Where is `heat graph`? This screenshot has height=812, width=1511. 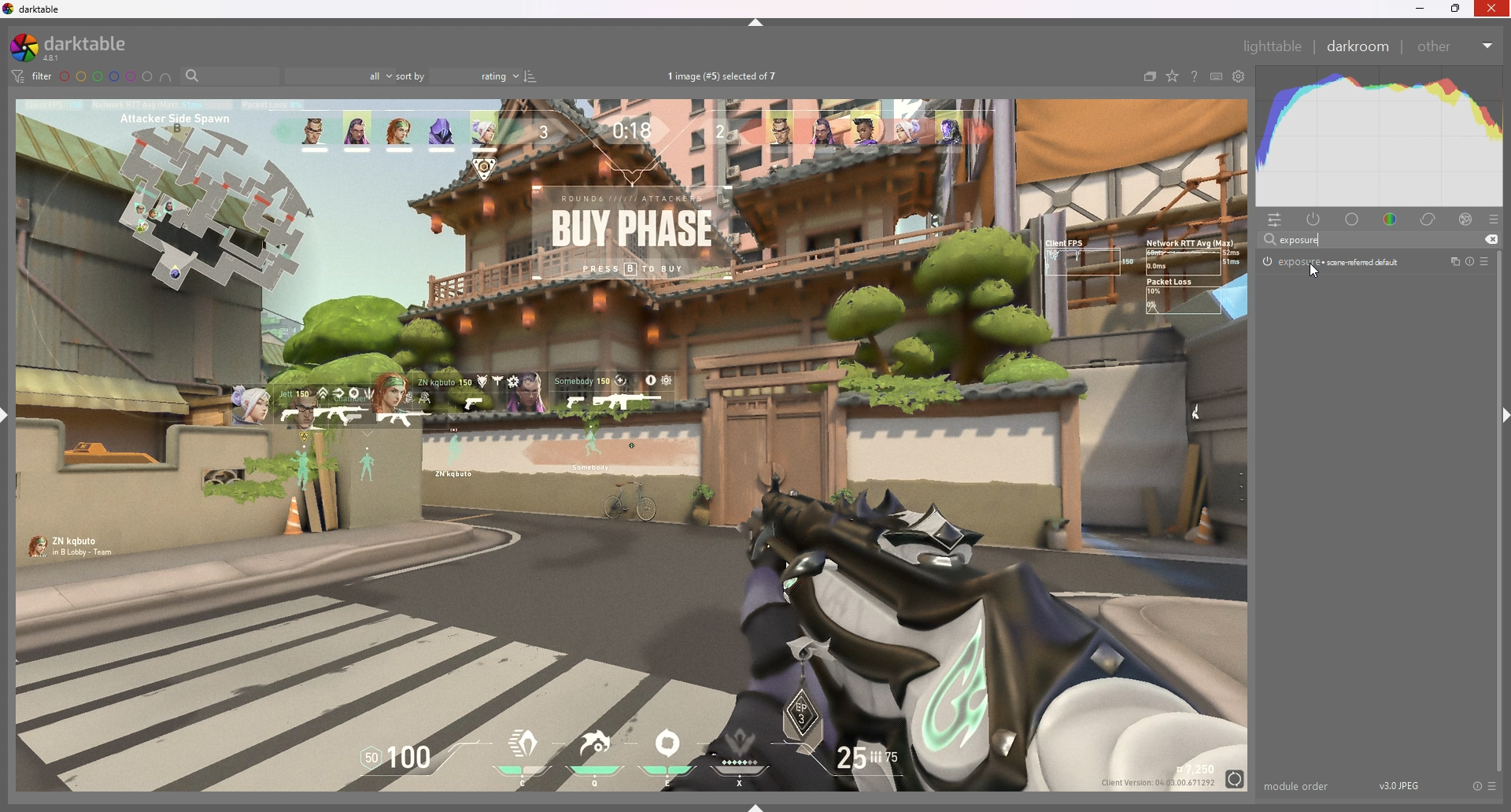
heat graph is located at coordinates (1378, 137).